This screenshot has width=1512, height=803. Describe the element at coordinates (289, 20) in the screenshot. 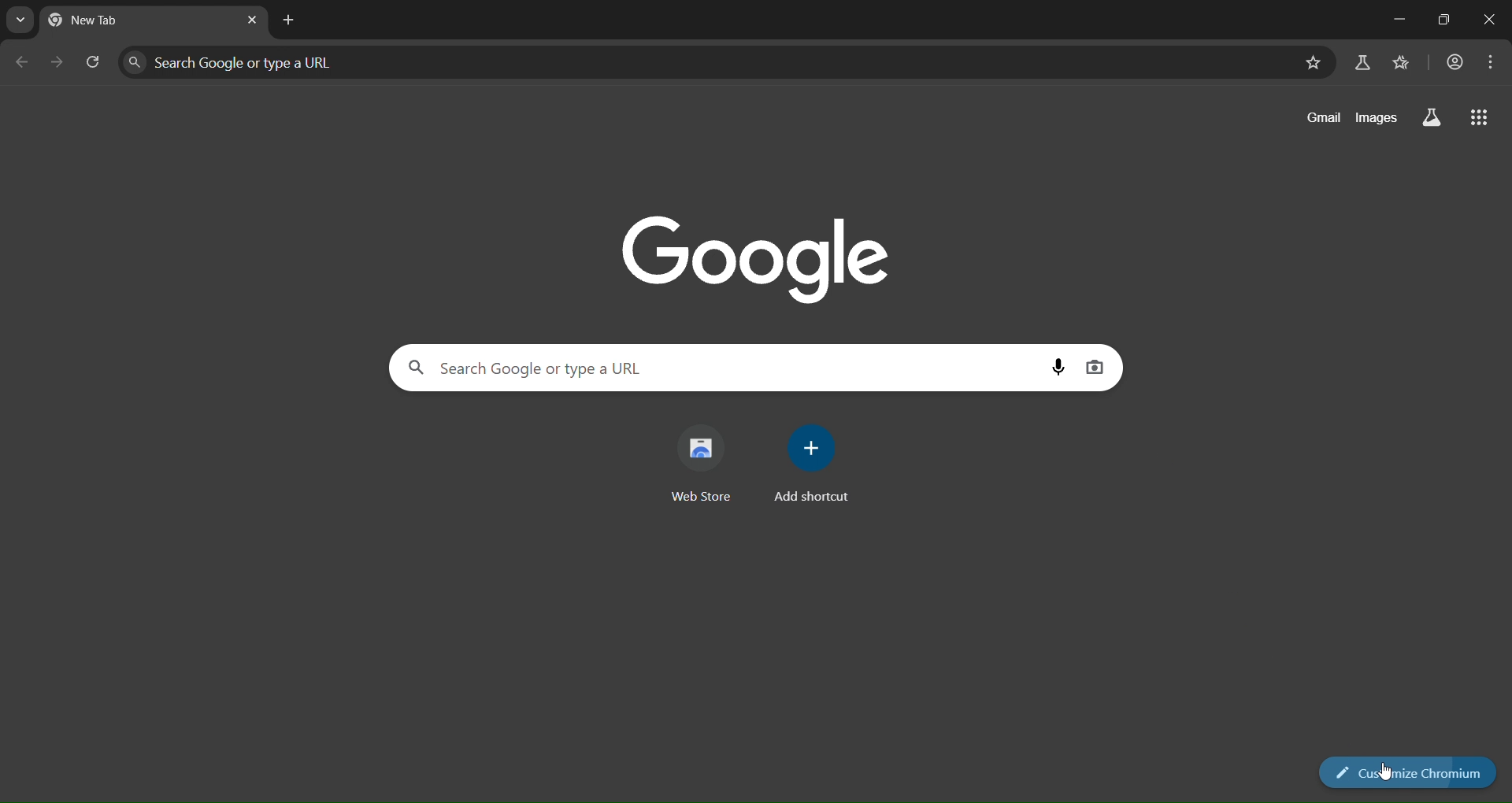

I see `new tab` at that location.